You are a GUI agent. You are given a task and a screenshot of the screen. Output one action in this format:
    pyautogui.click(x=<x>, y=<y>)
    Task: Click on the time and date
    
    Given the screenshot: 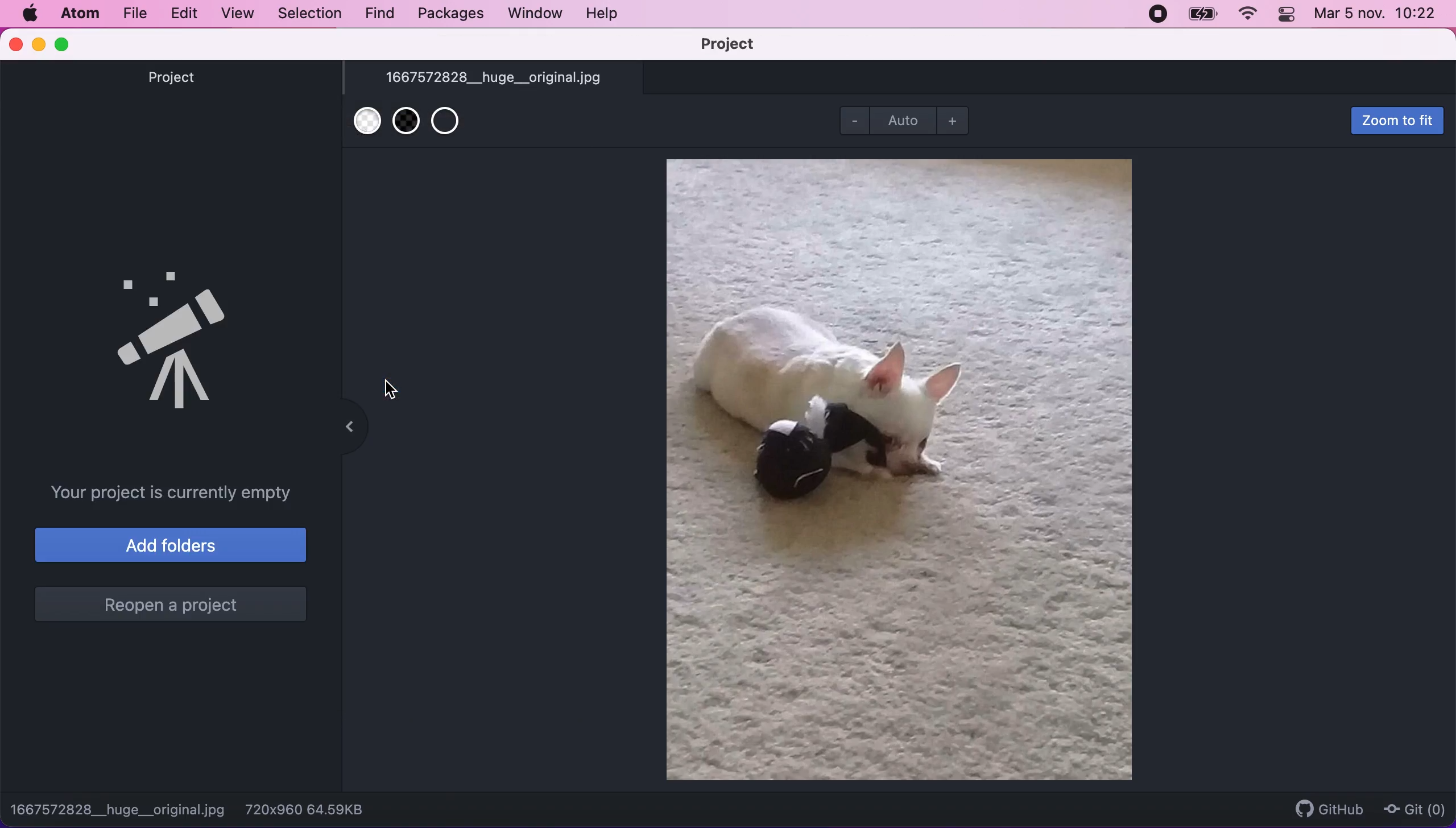 What is the action you would take?
    pyautogui.click(x=1377, y=15)
    